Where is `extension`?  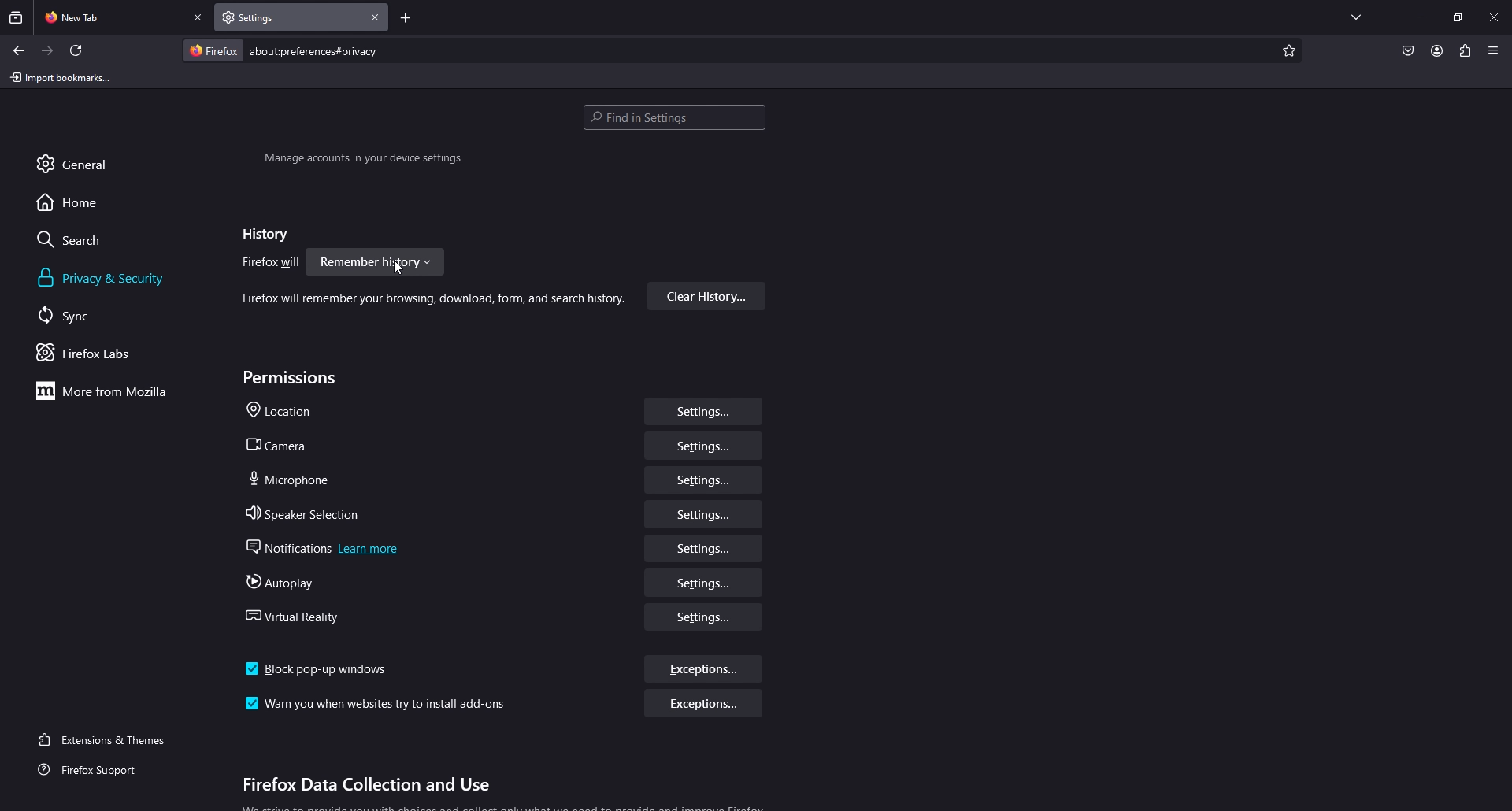
extension is located at coordinates (1466, 50).